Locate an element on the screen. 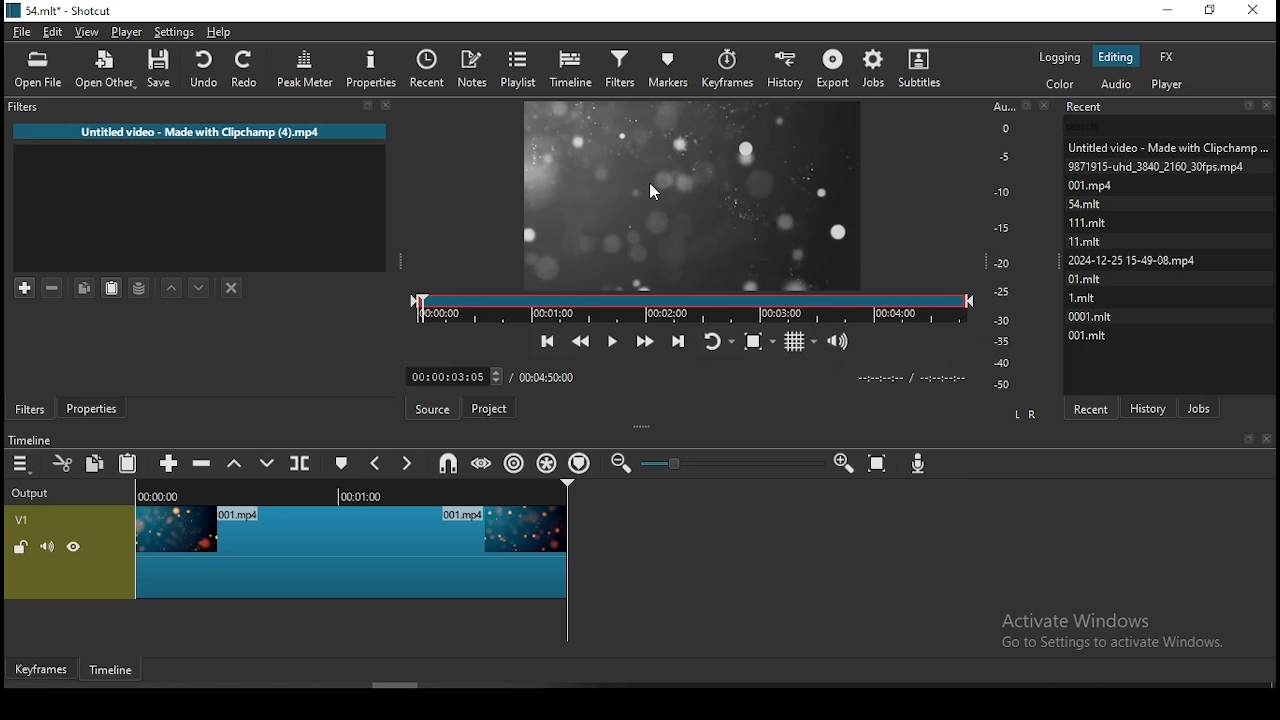 Image resolution: width=1280 pixels, height=720 pixels. files is located at coordinates (1087, 185).